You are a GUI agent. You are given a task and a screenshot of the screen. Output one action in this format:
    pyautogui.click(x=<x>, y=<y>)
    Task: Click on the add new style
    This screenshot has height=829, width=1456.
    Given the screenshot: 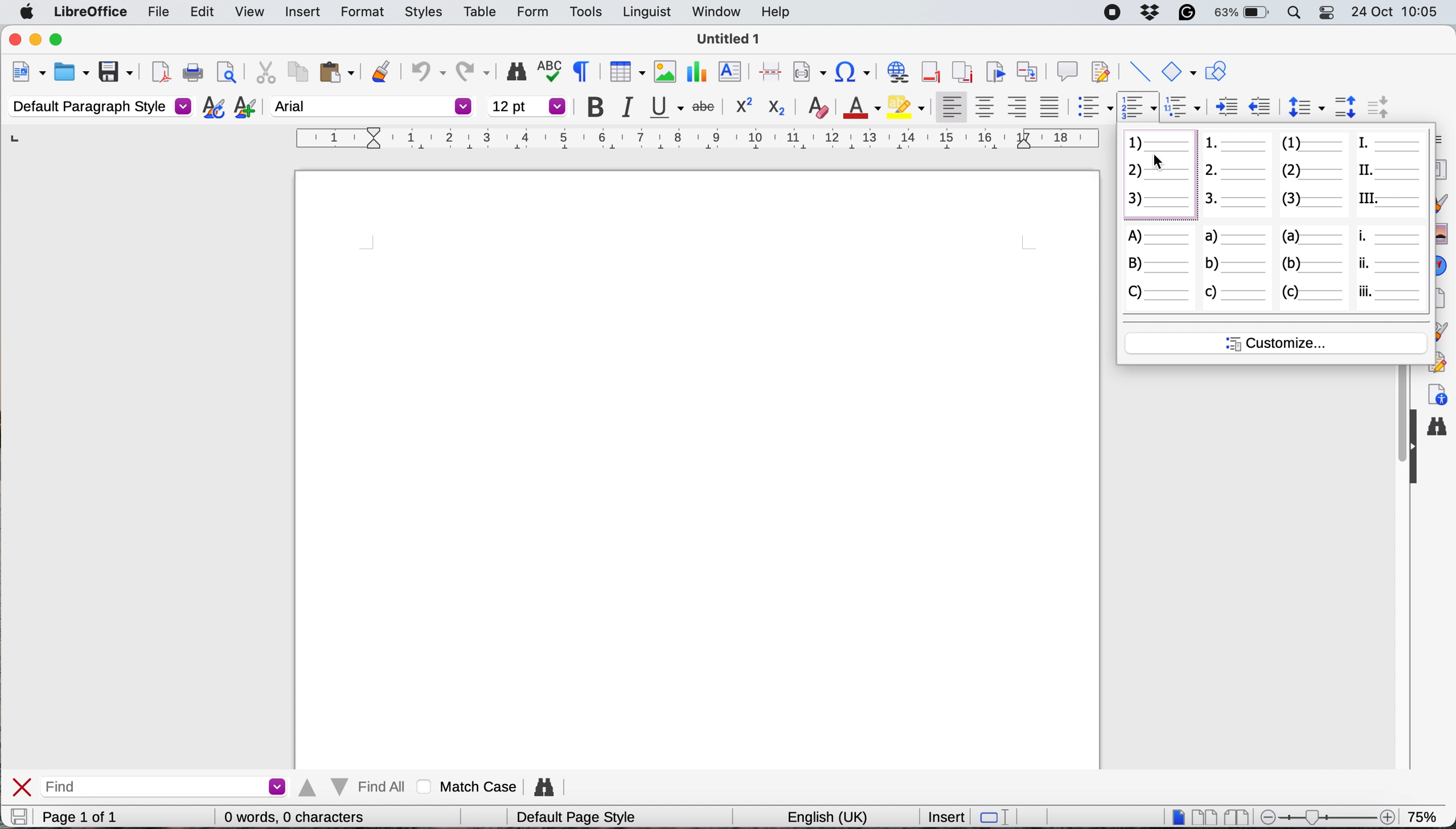 What is the action you would take?
    pyautogui.click(x=244, y=109)
    